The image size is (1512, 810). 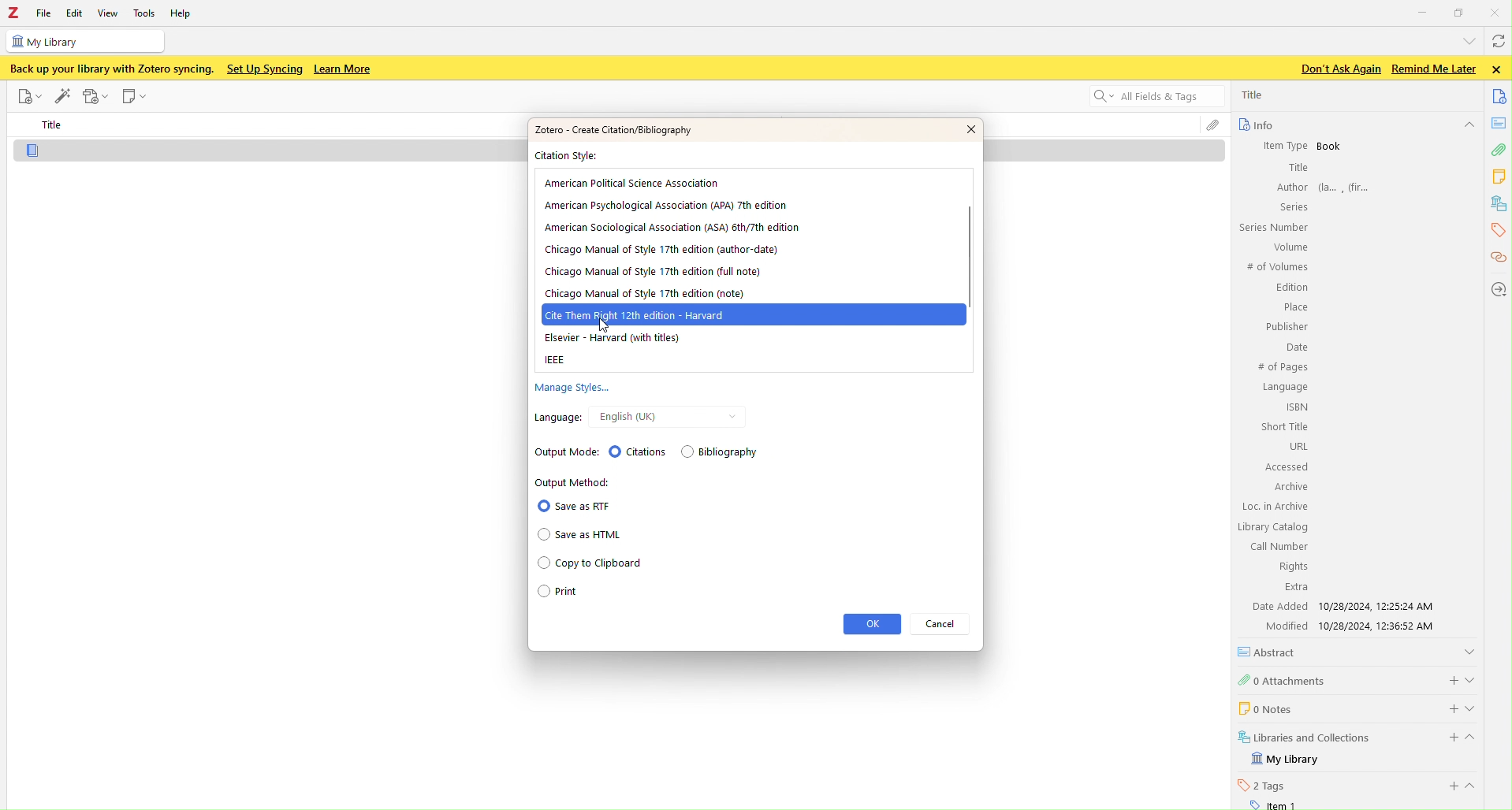 I want to click on Citation Style:, so click(x=570, y=157).